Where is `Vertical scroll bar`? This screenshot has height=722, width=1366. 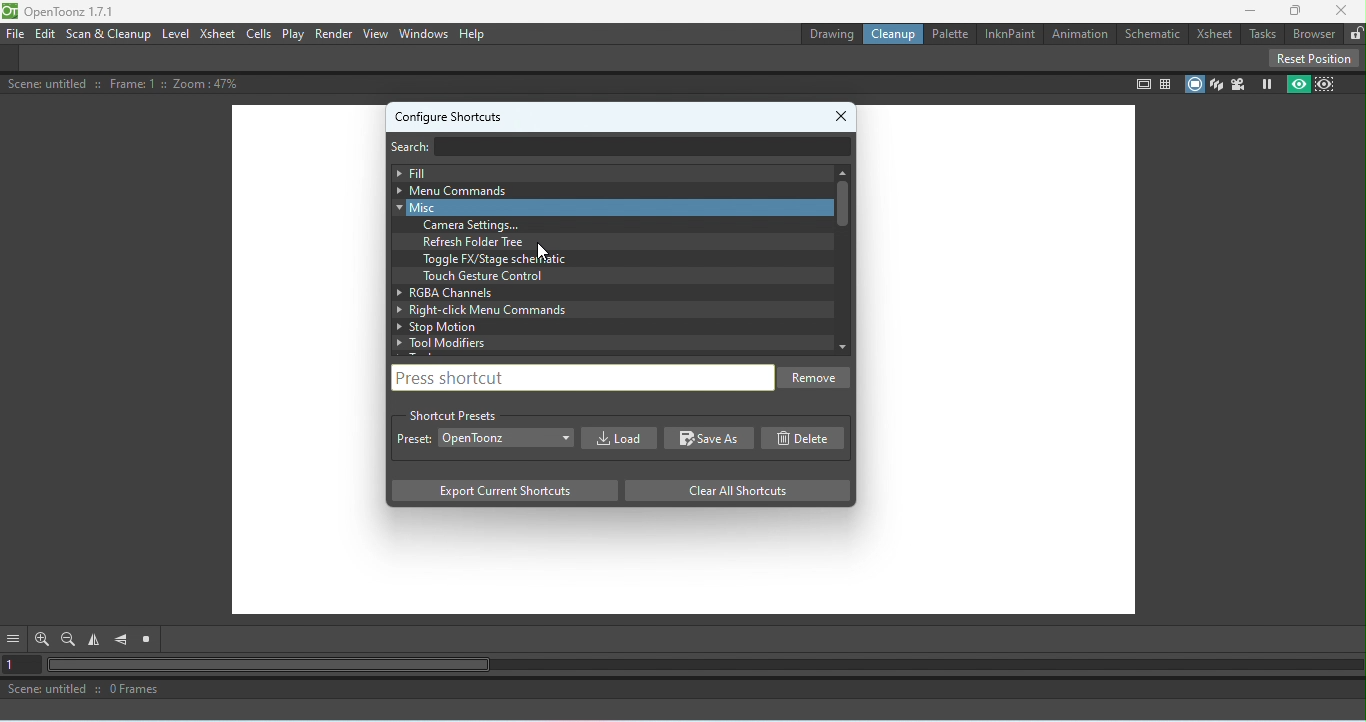 Vertical scroll bar is located at coordinates (841, 259).